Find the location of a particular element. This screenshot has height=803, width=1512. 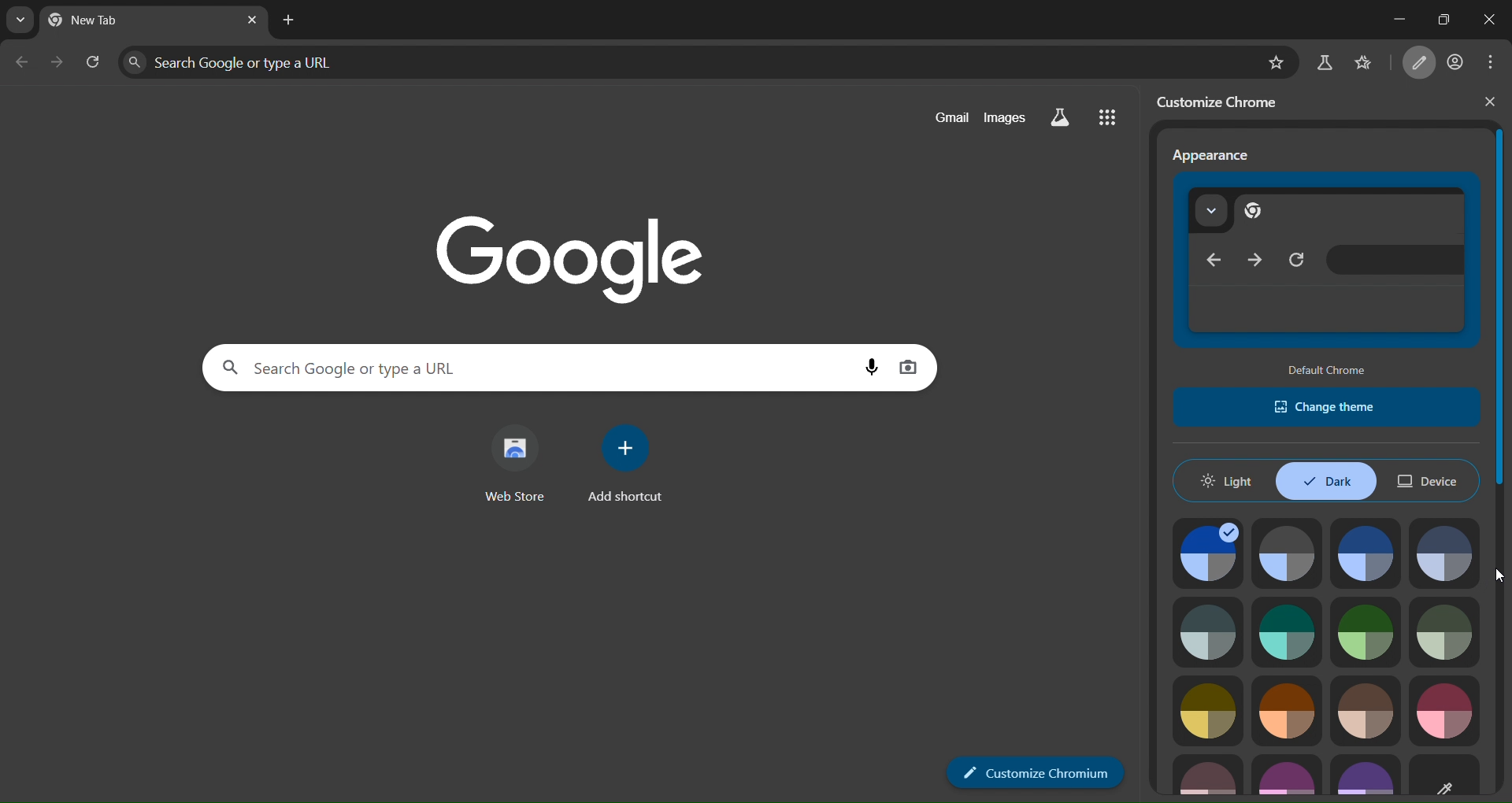

change theme is located at coordinates (1326, 405).